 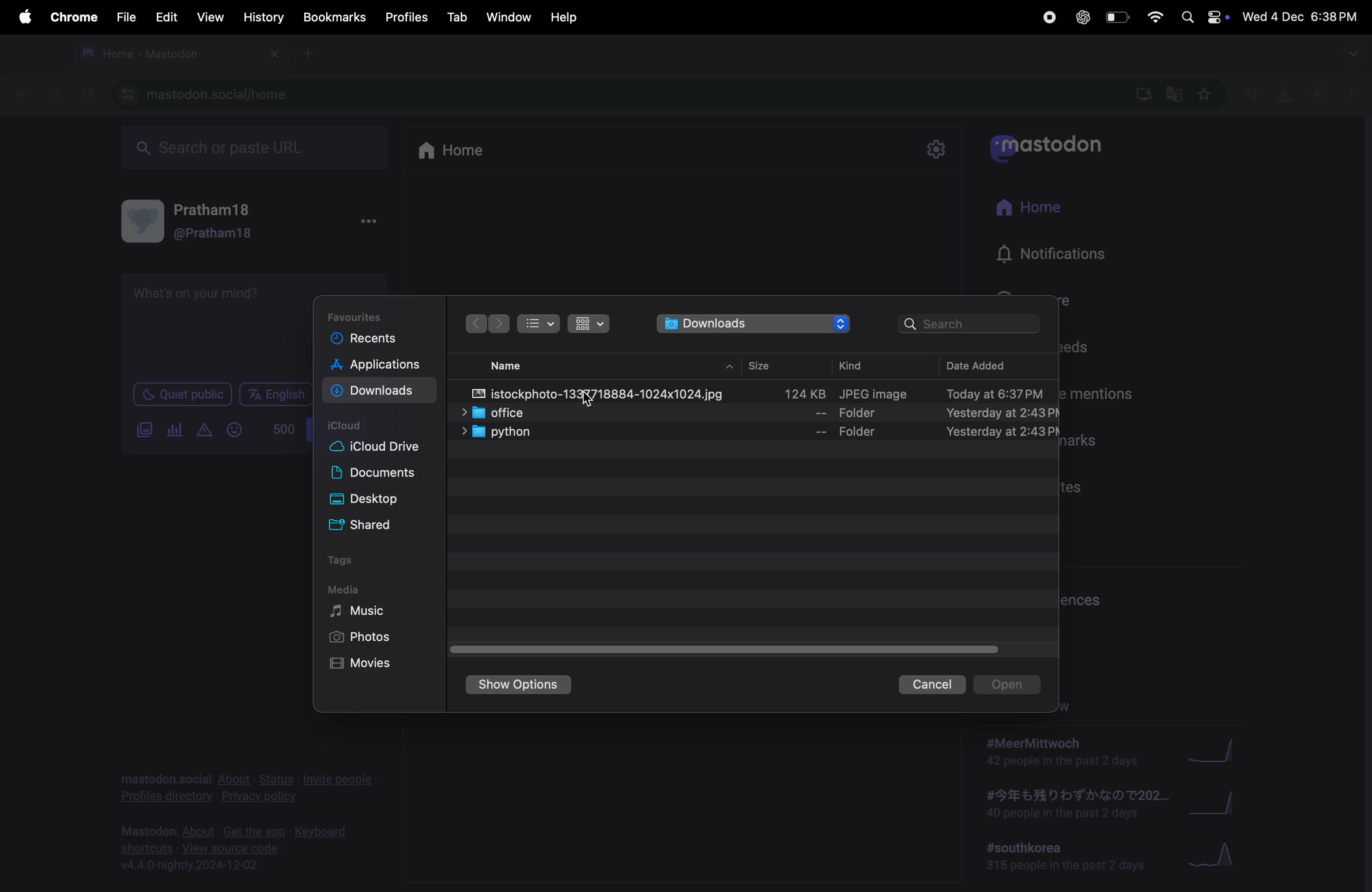 I want to click on favourites, so click(x=1207, y=95).